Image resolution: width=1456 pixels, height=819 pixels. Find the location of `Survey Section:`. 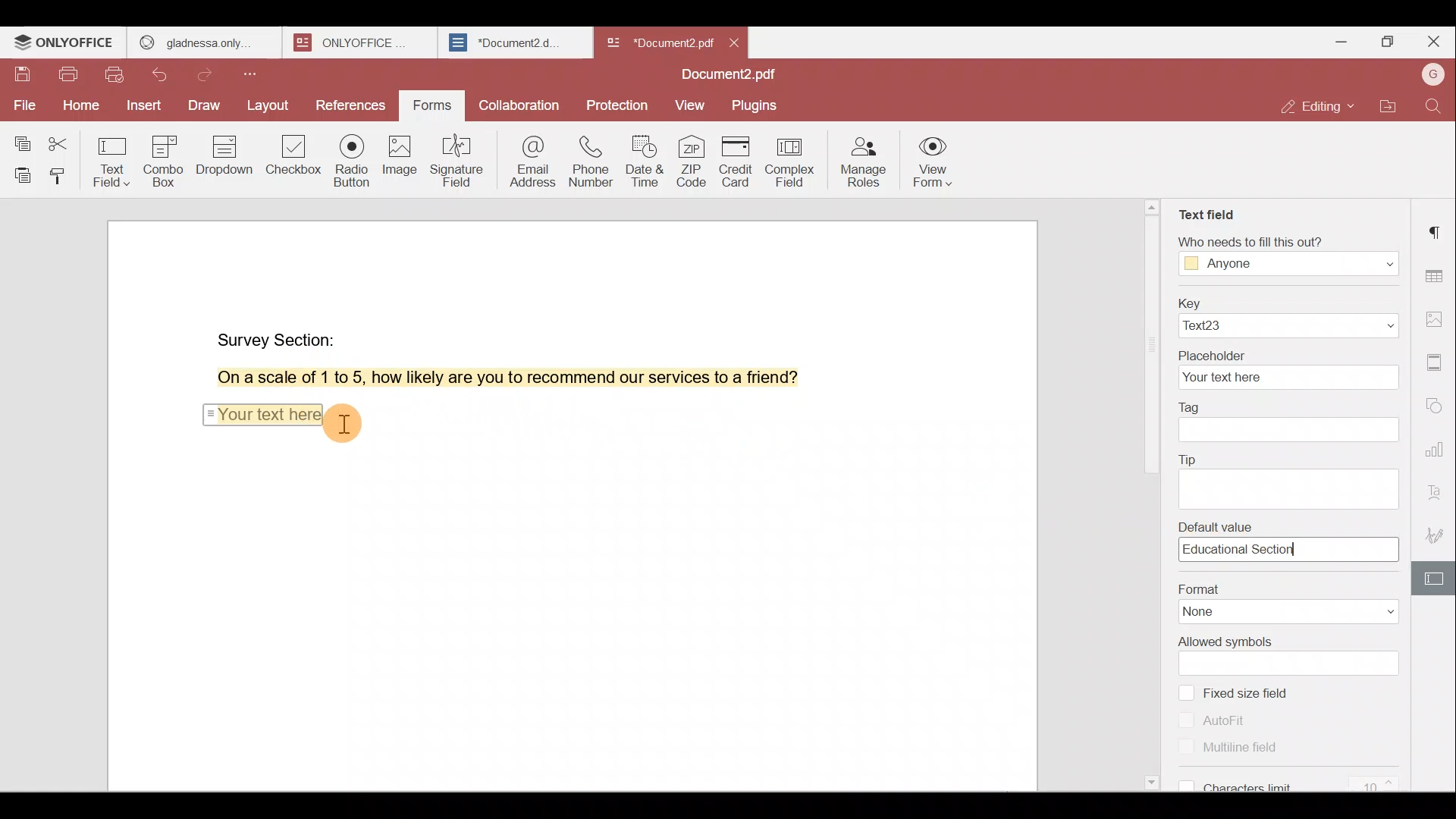

Survey Section: is located at coordinates (279, 337).